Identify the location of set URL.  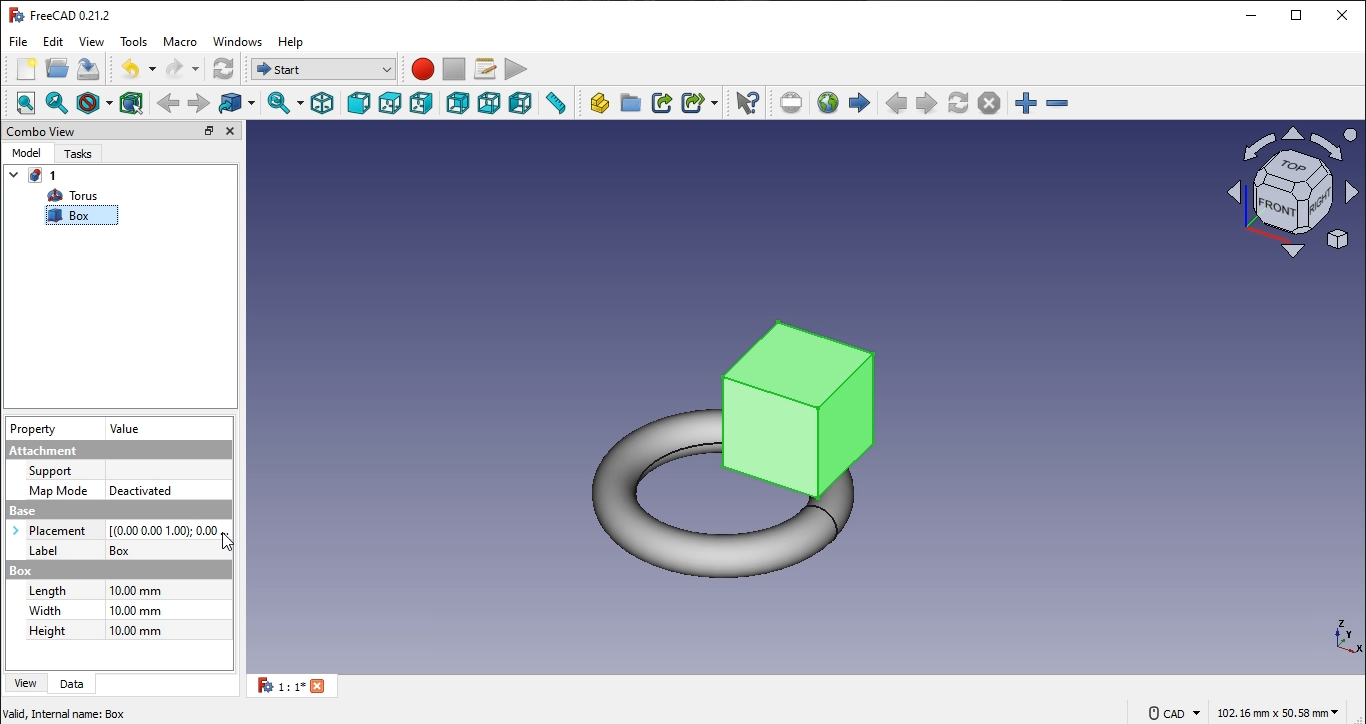
(792, 102).